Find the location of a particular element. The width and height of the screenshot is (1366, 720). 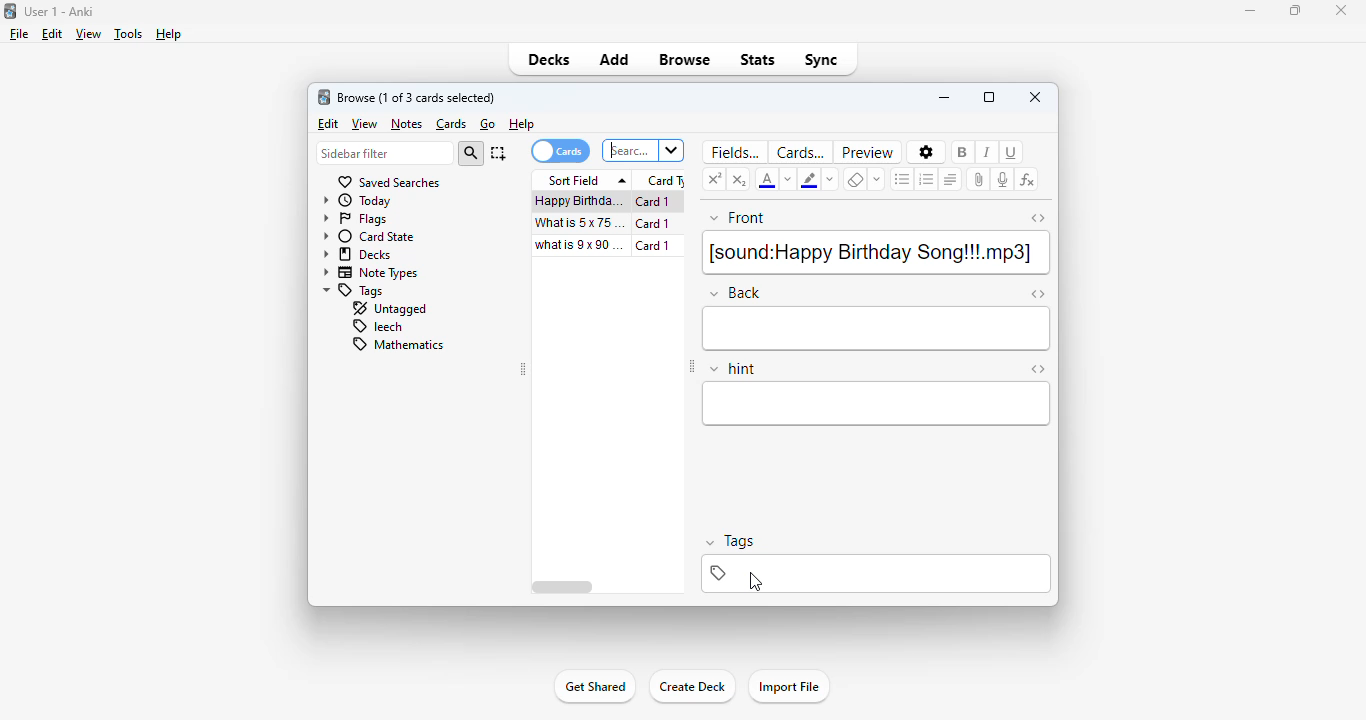

card 1 is located at coordinates (657, 202).